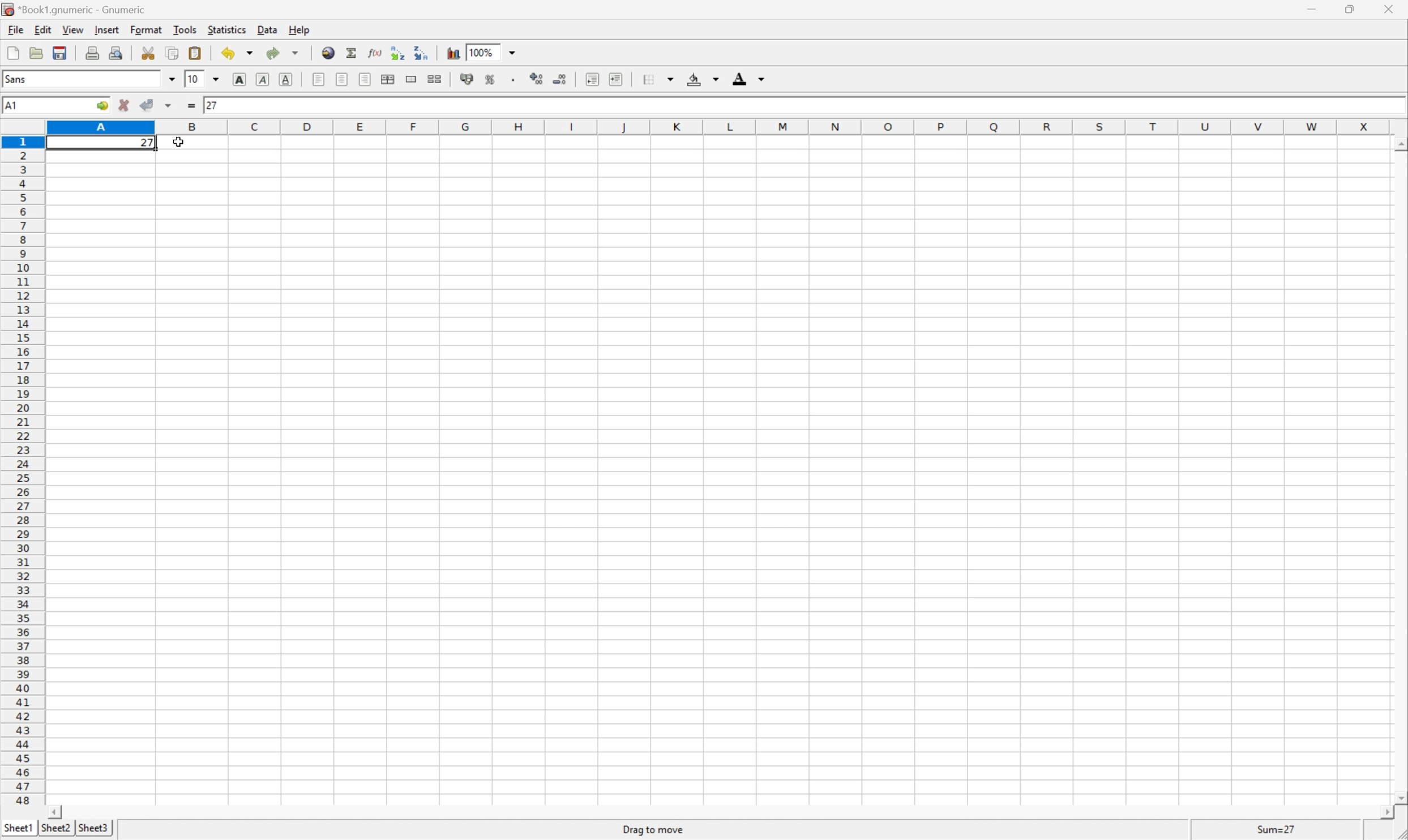  Describe the element at coordinates (434, 79) in the screenshot. I see `Split the merged ranges of cells` at that location.